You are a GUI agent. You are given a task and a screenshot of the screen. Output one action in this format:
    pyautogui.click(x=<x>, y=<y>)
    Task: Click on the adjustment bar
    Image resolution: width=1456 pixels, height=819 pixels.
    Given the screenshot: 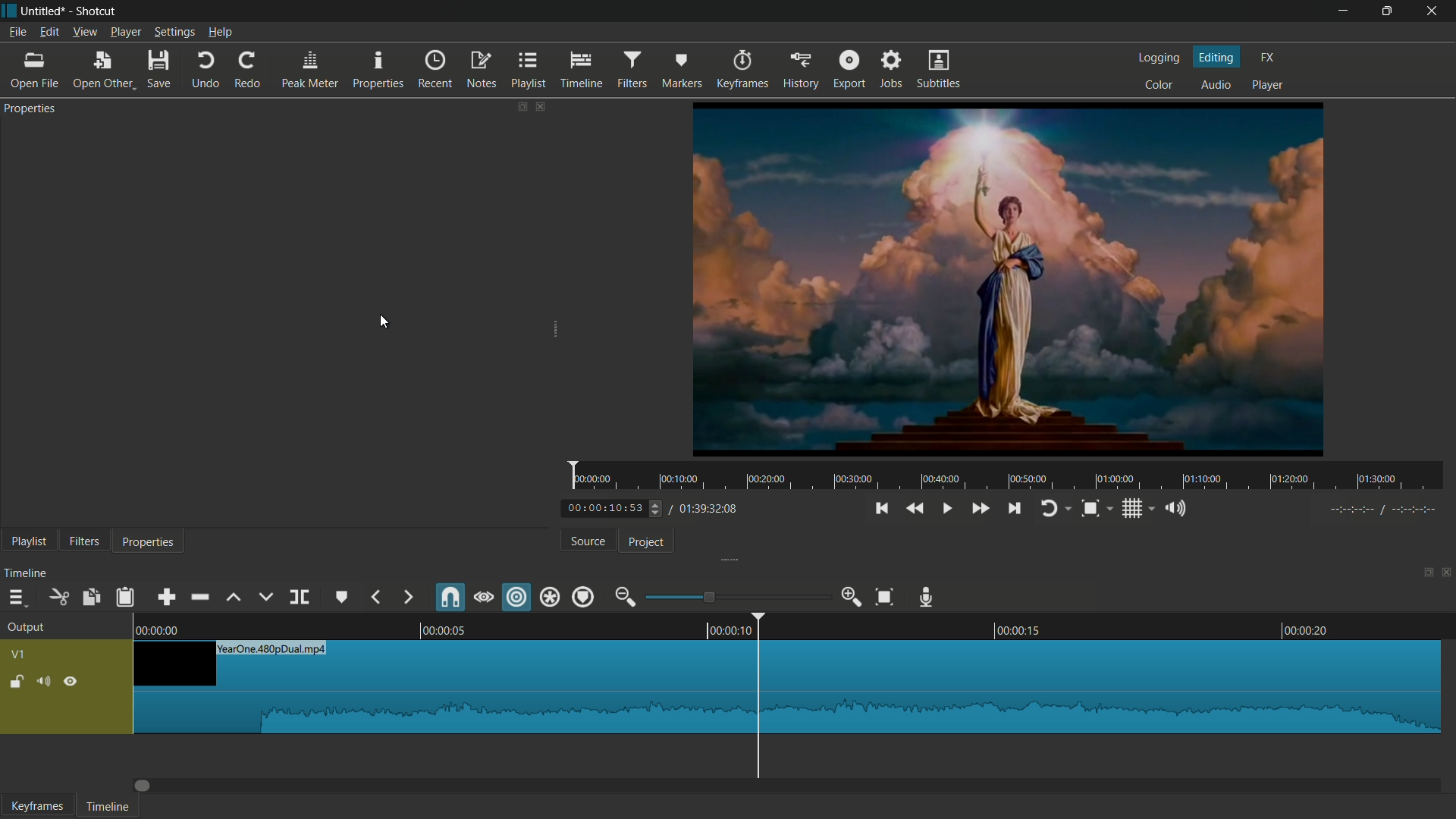 What is the action you would take?
    pyautogui.click(x=736, y=596)
    